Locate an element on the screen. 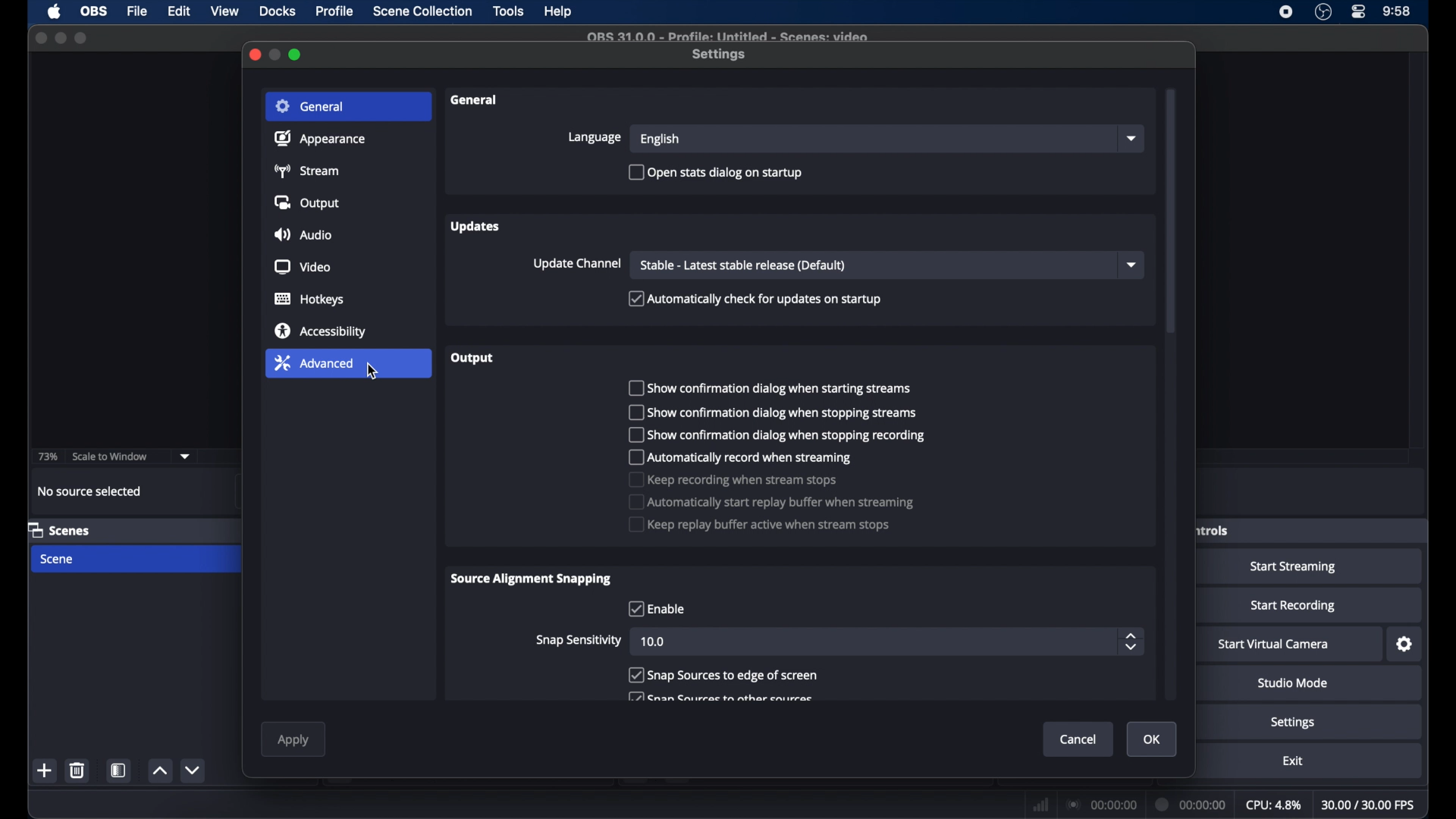  settings is located at coordinates (1405, 644).